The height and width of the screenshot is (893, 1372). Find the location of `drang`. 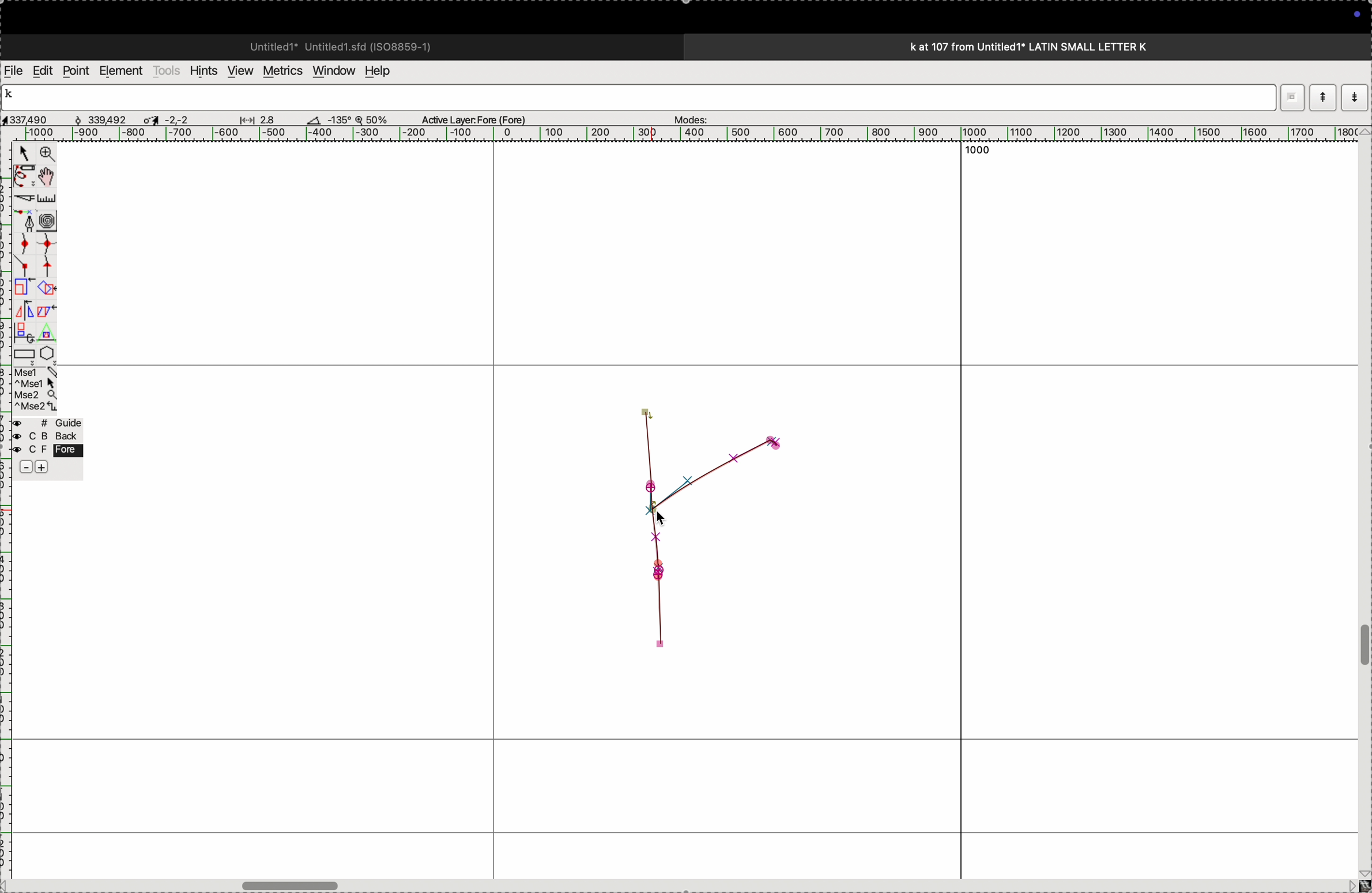

drang is located at coordinates (254, 118).